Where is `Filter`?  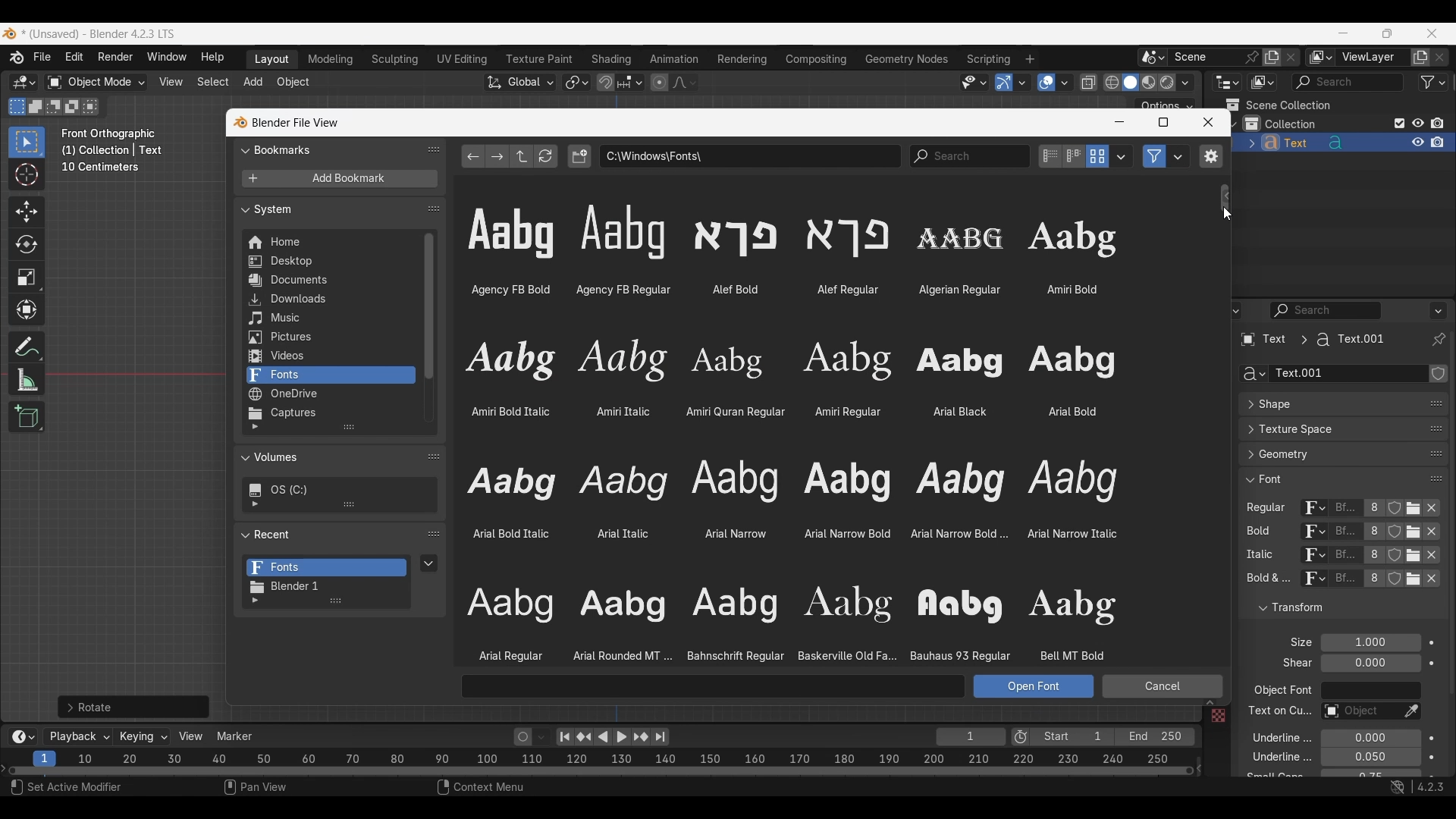 Filter is located at coordinates (1433, 82).